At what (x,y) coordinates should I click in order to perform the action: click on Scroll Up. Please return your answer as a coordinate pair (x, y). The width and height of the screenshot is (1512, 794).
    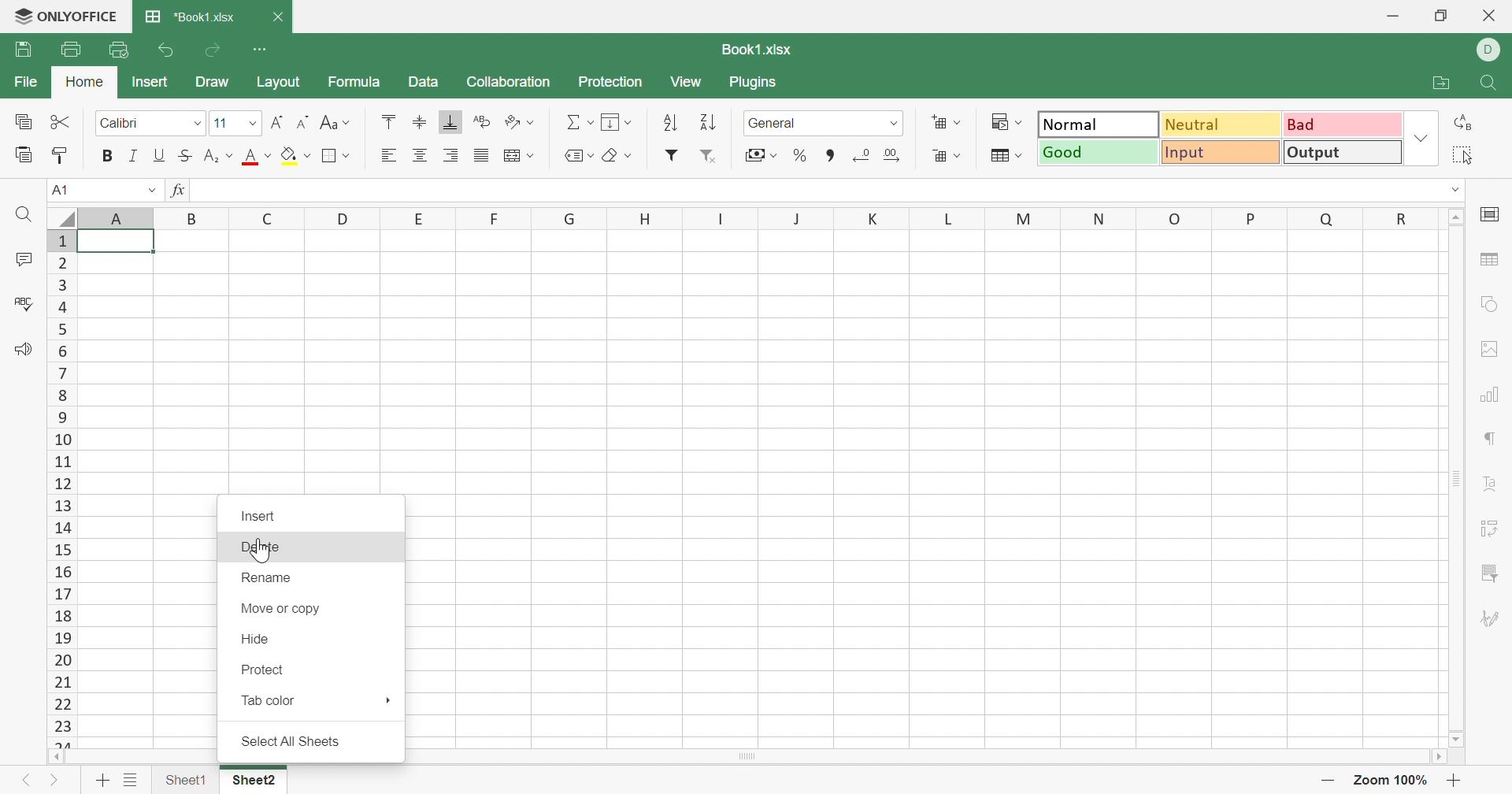
    Looking at the image, I should click on (1456, 219).